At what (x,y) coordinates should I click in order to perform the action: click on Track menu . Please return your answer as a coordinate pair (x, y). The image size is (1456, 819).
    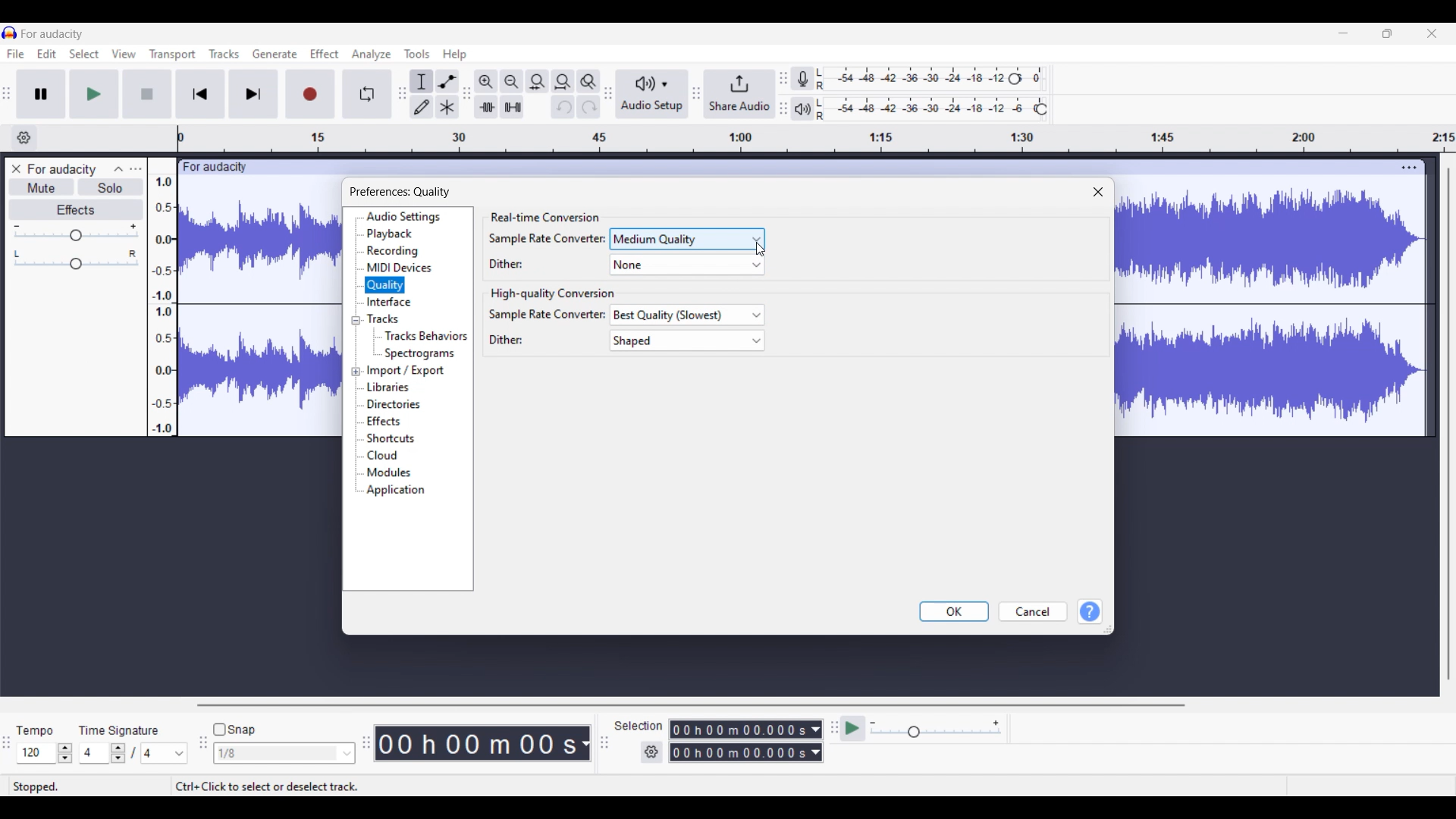
    Looking at the image, I should click on (224, 54).